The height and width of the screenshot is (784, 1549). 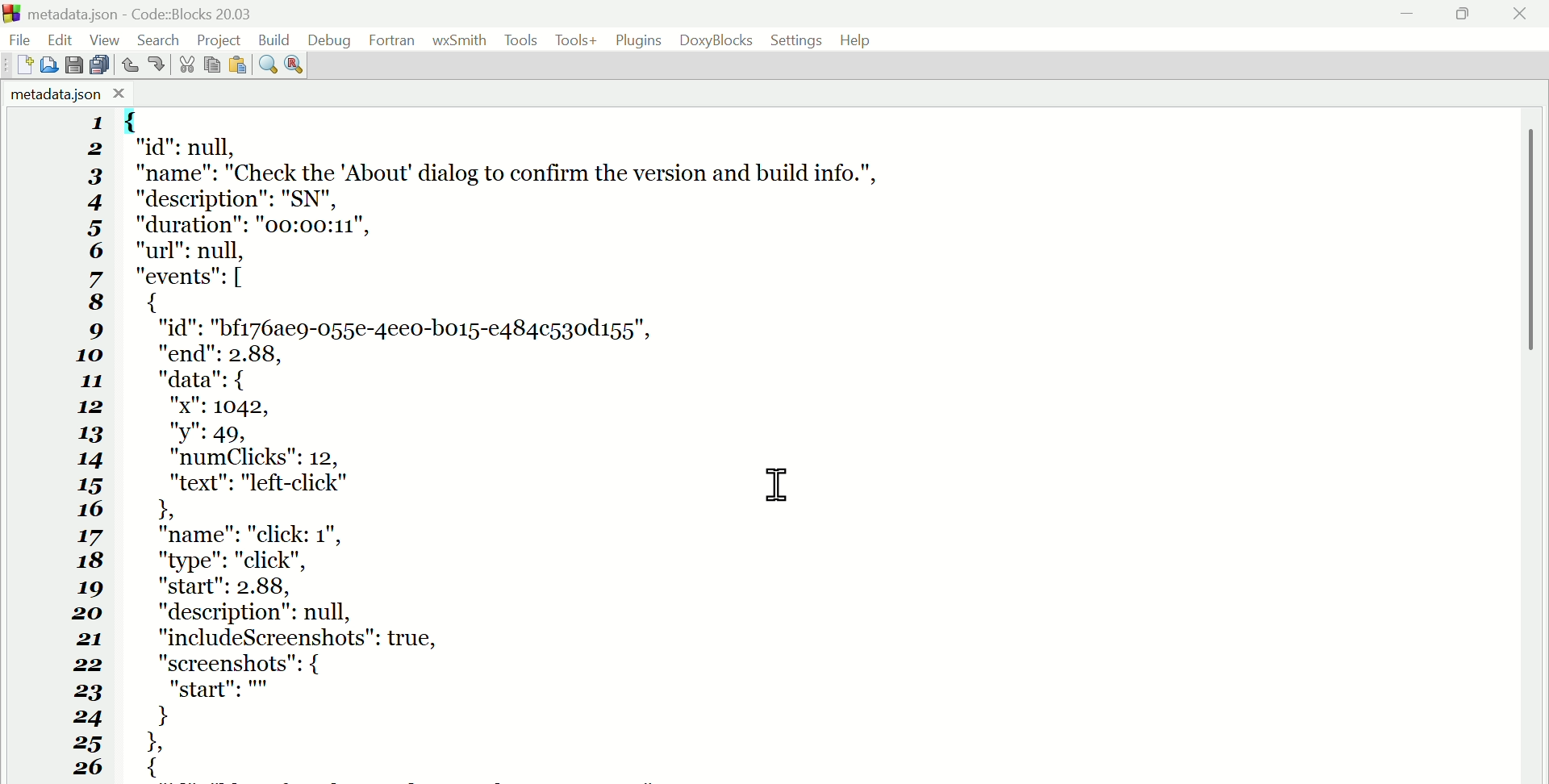 What do you see at coordinates (19, 67) in the screenshot?
I see `New` at bounding box center [19, 67].